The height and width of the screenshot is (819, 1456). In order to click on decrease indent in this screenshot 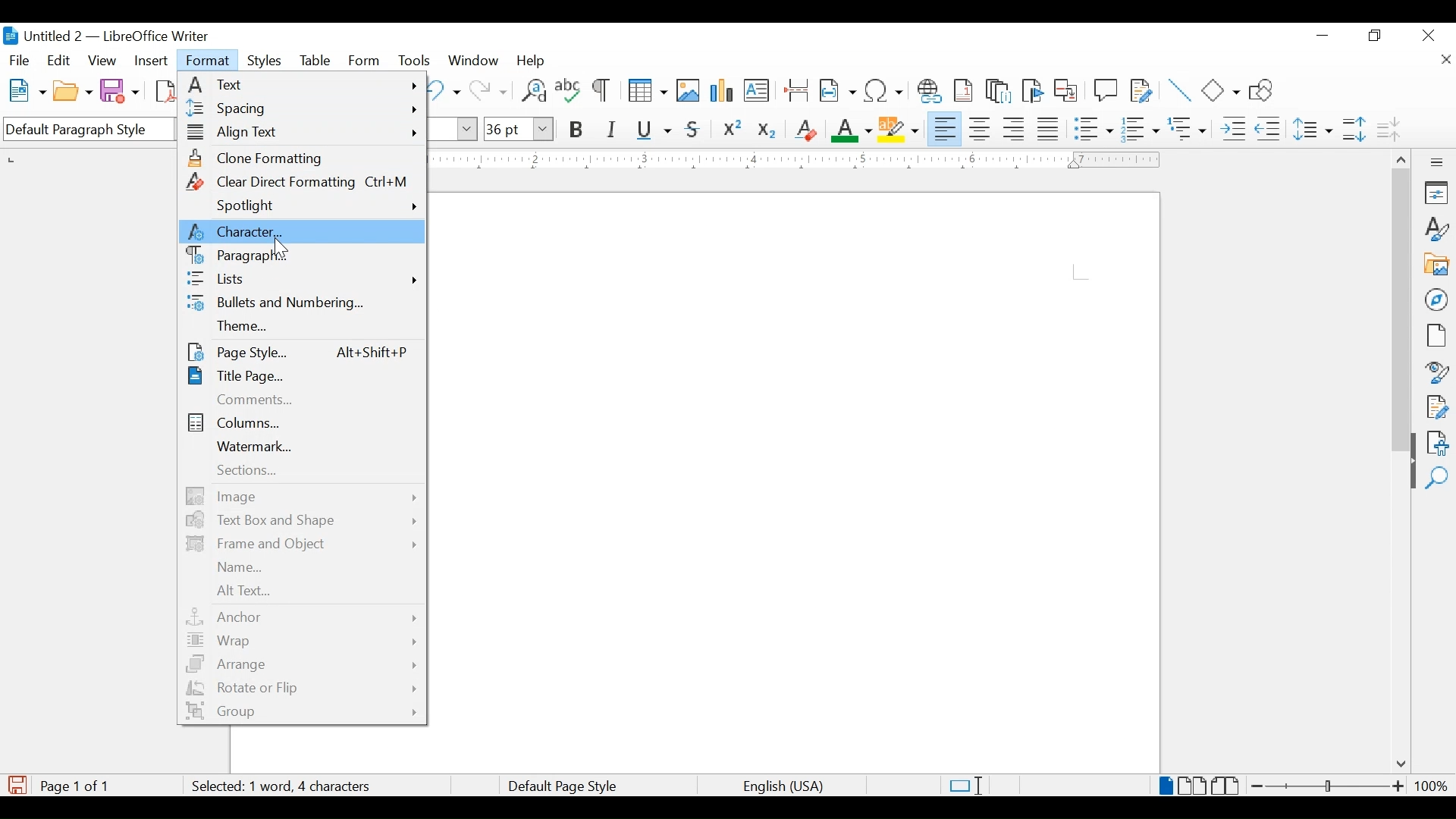, I will do `click(1269, 128)`.